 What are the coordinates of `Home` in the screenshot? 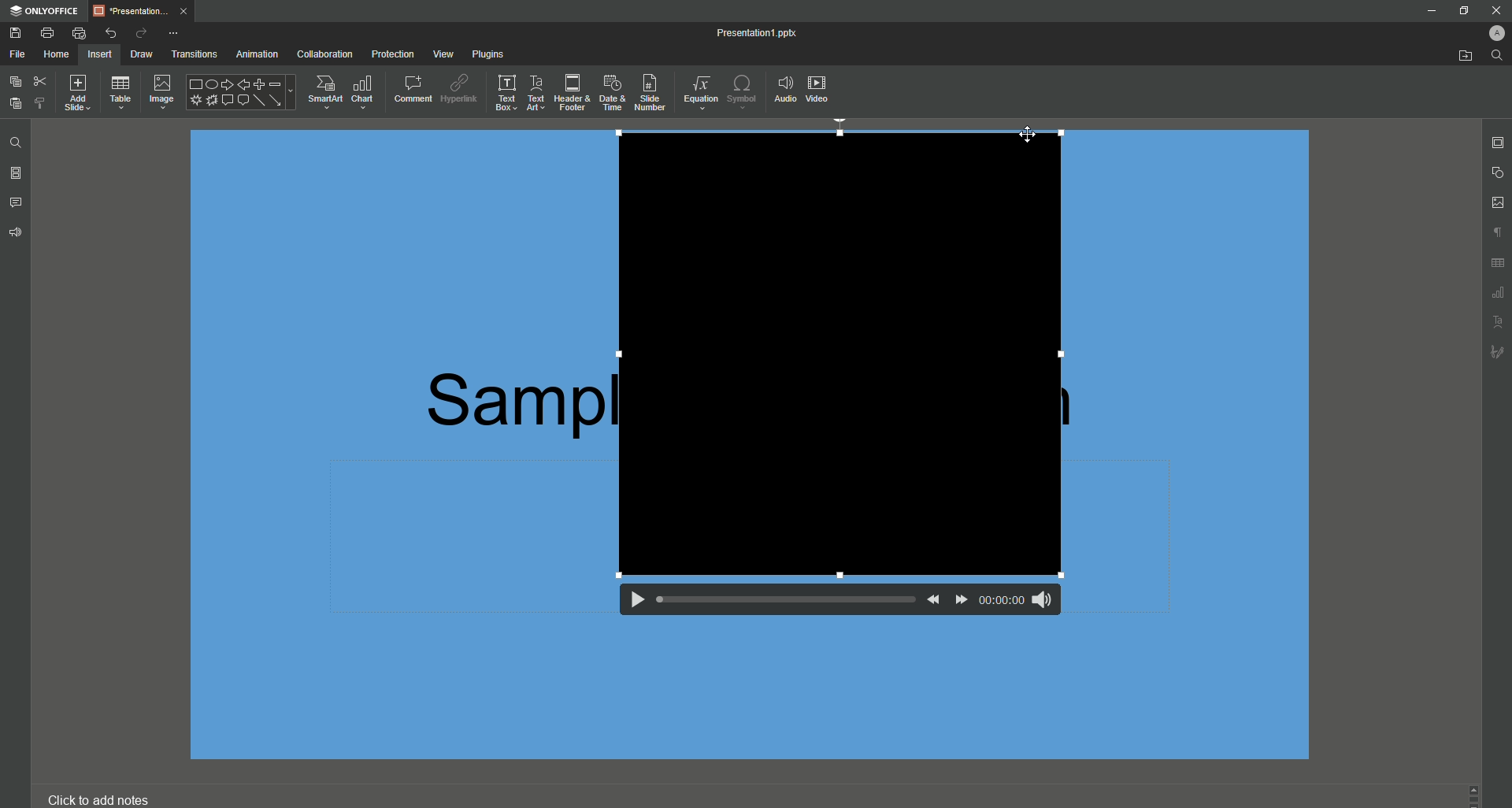 It's located at (57, 55).